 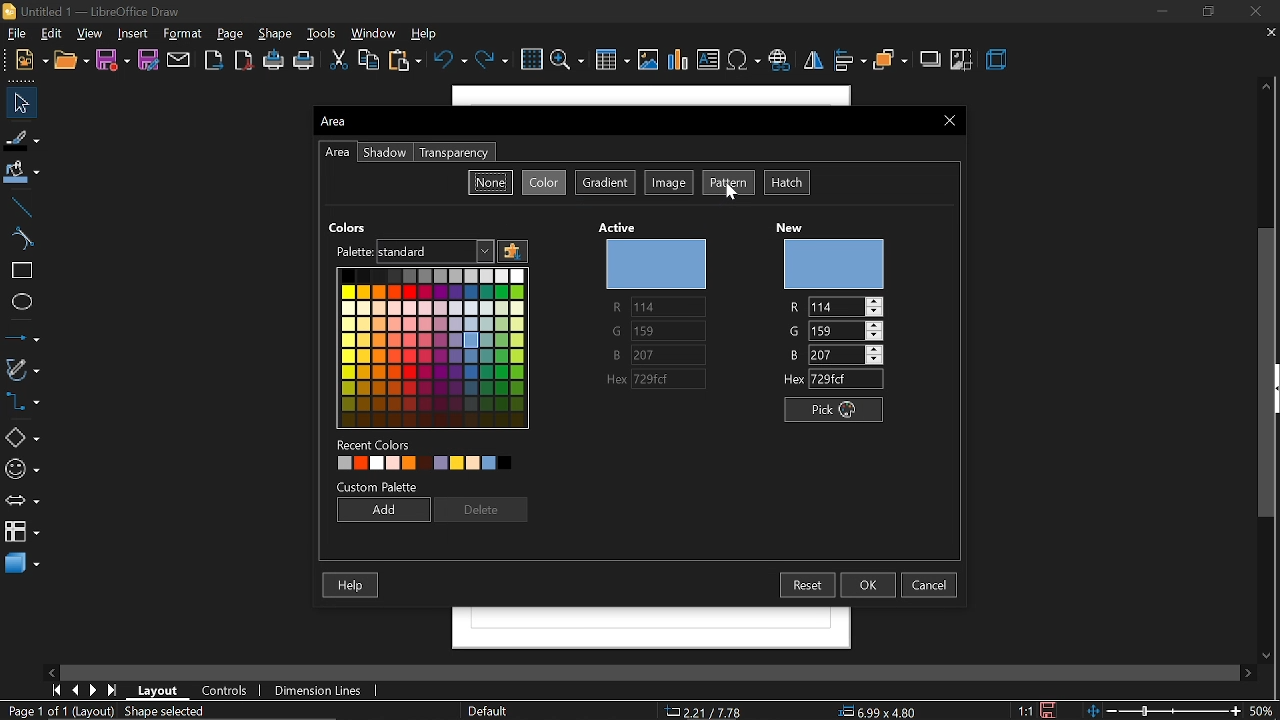 What do you see at coordinates (92, 34) in the screenshot?
I see `view` at bounding box center [92, 34].